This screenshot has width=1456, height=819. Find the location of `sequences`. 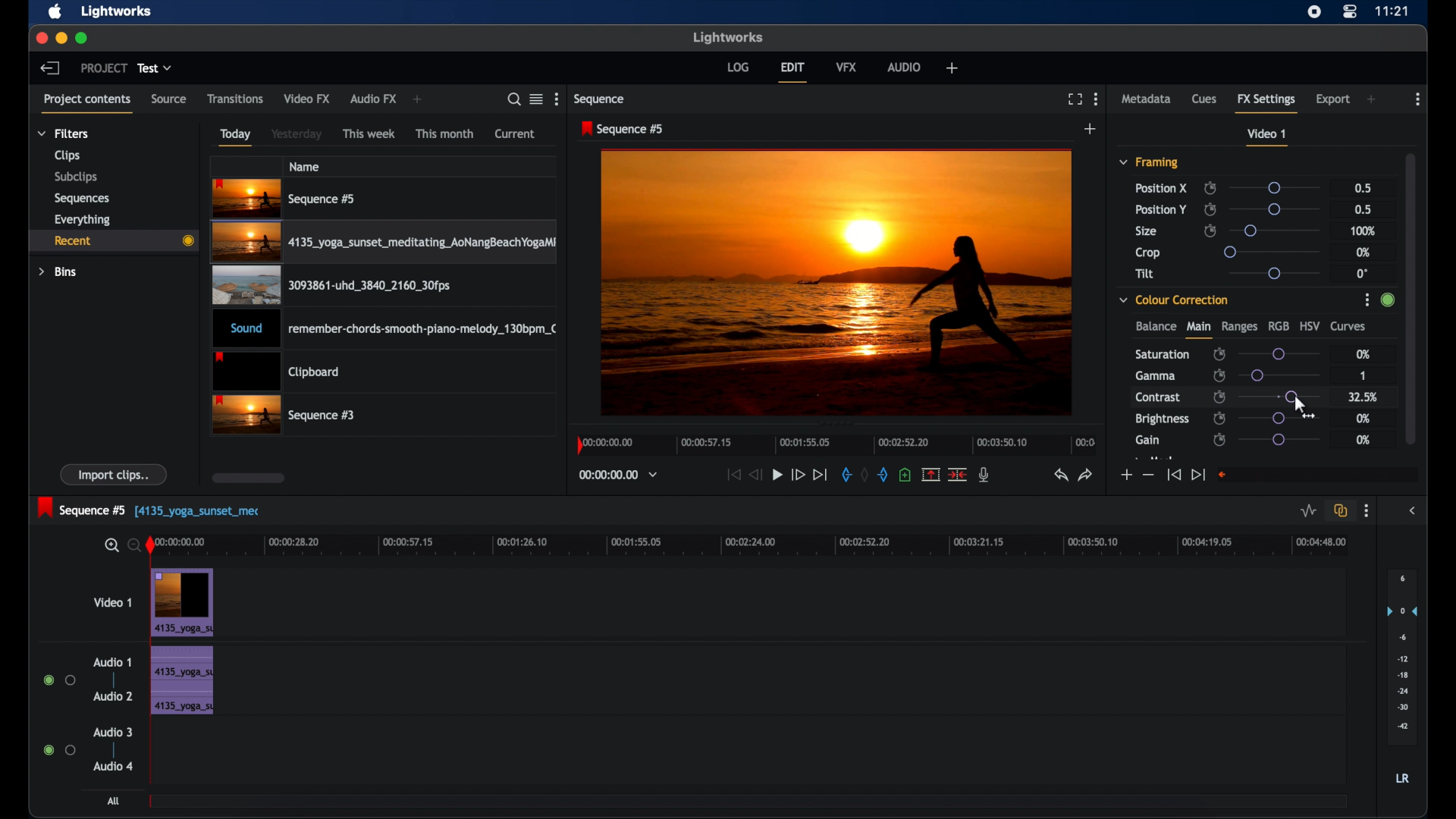

sequences is located at coordinates (82, 199).